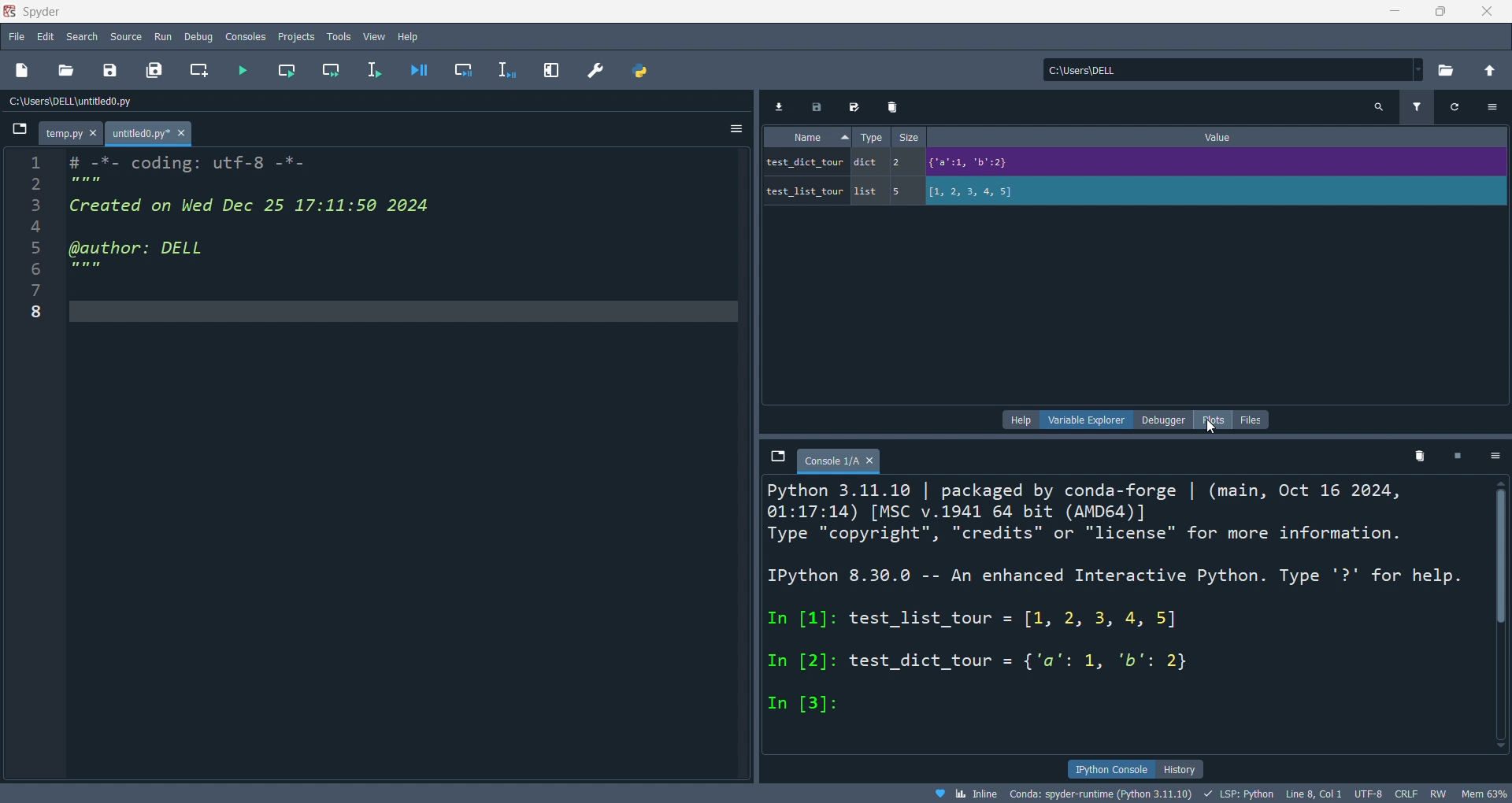 The image size is (1512, 803). What do you see at coordinates (806, 190) in the screenshot?
I see `variable` at bounding box center [806, 190].